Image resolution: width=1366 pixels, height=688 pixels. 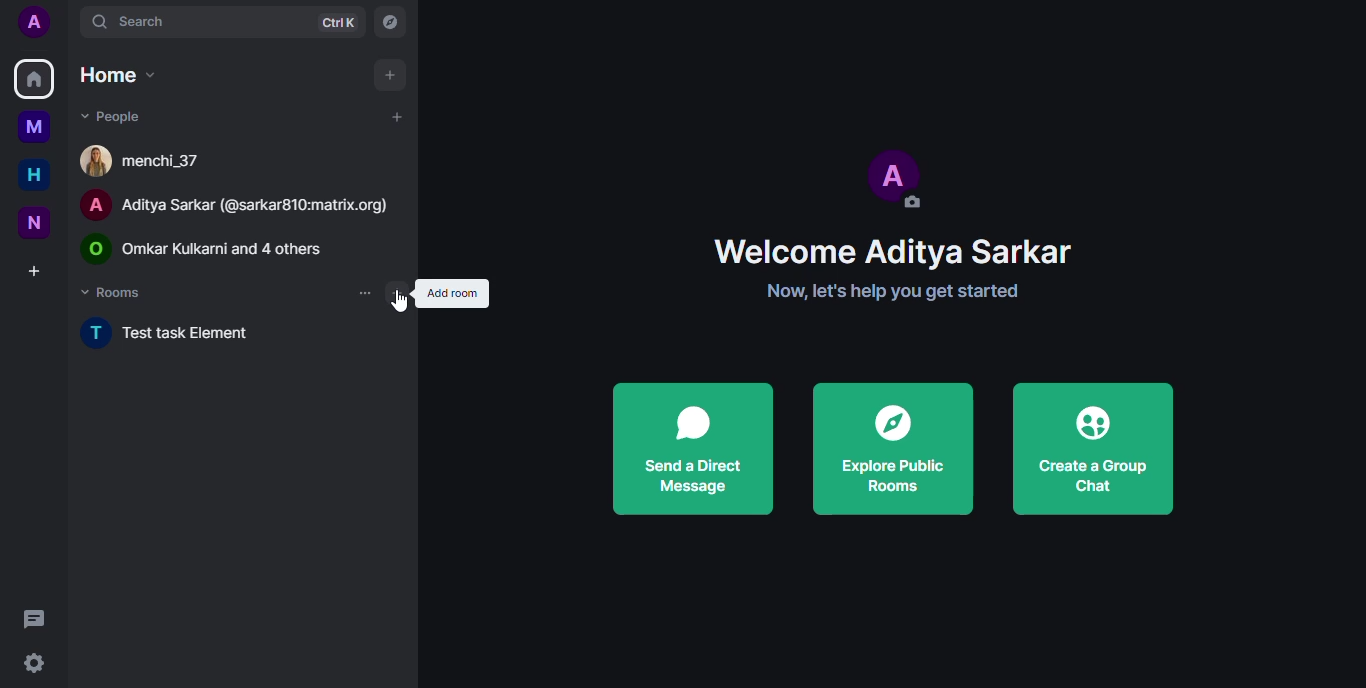 I want to click on home, so click(x=28, y=175).